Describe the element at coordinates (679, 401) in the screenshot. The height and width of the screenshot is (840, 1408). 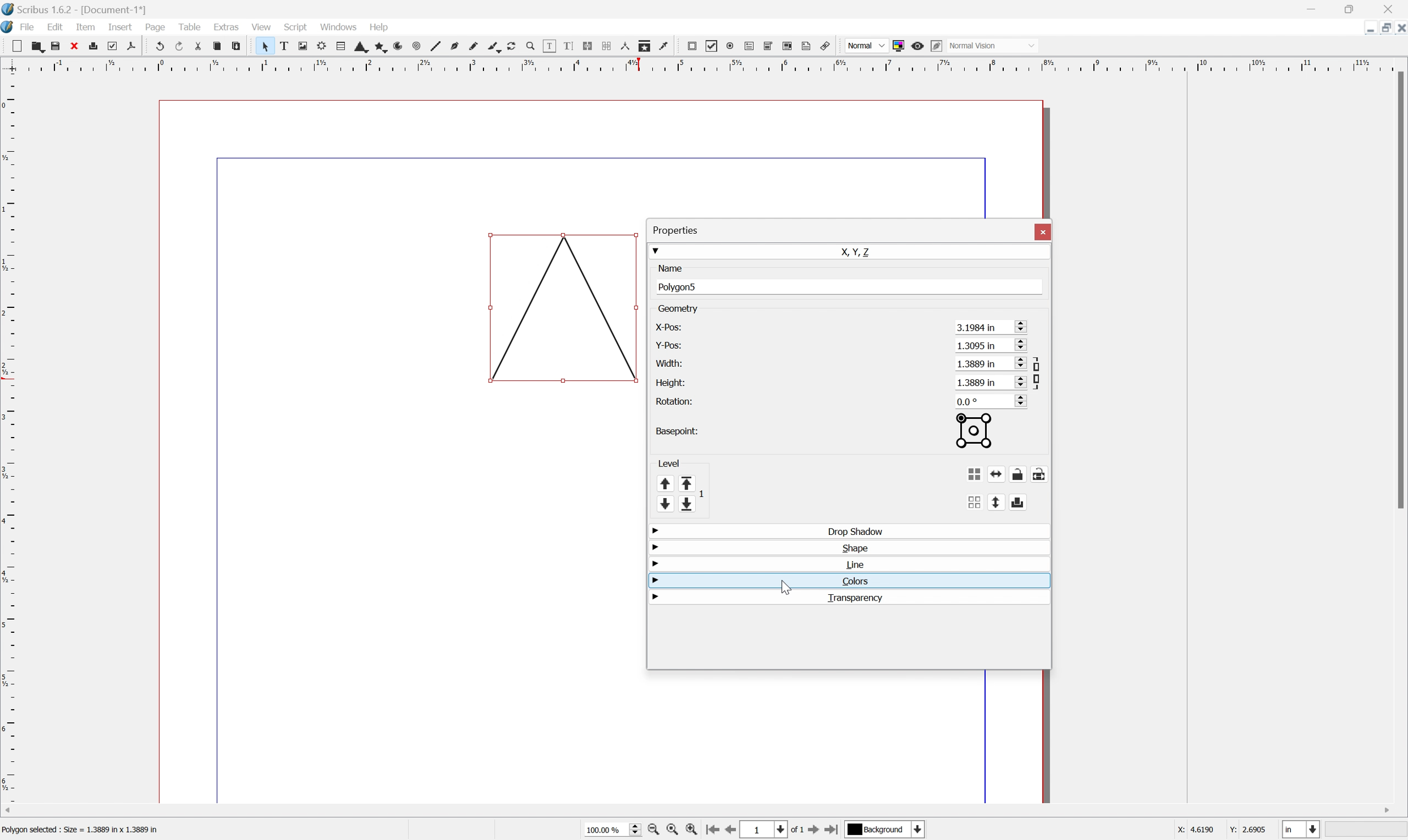
I see `Rotation:` at that location.